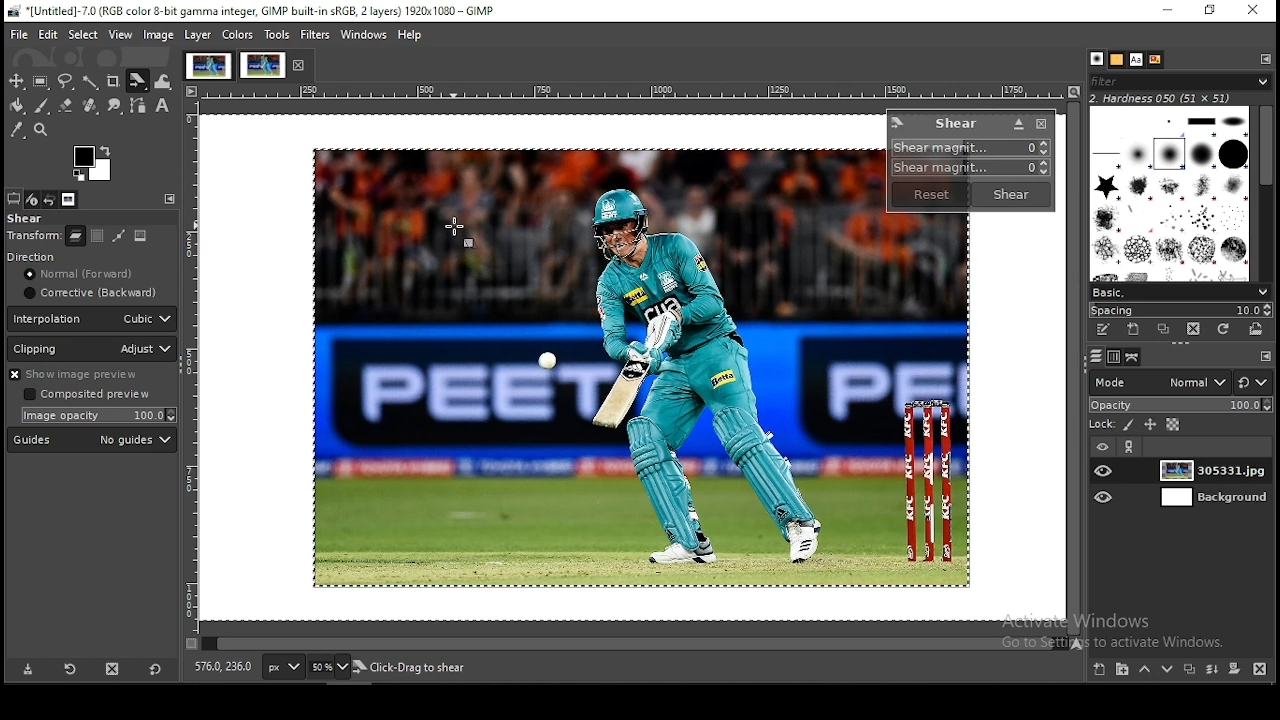 The image size is (1280, 720). What do you see at coordinates (301, 66) in the screenshot?
I see `close` at bounding box center [301, 66].